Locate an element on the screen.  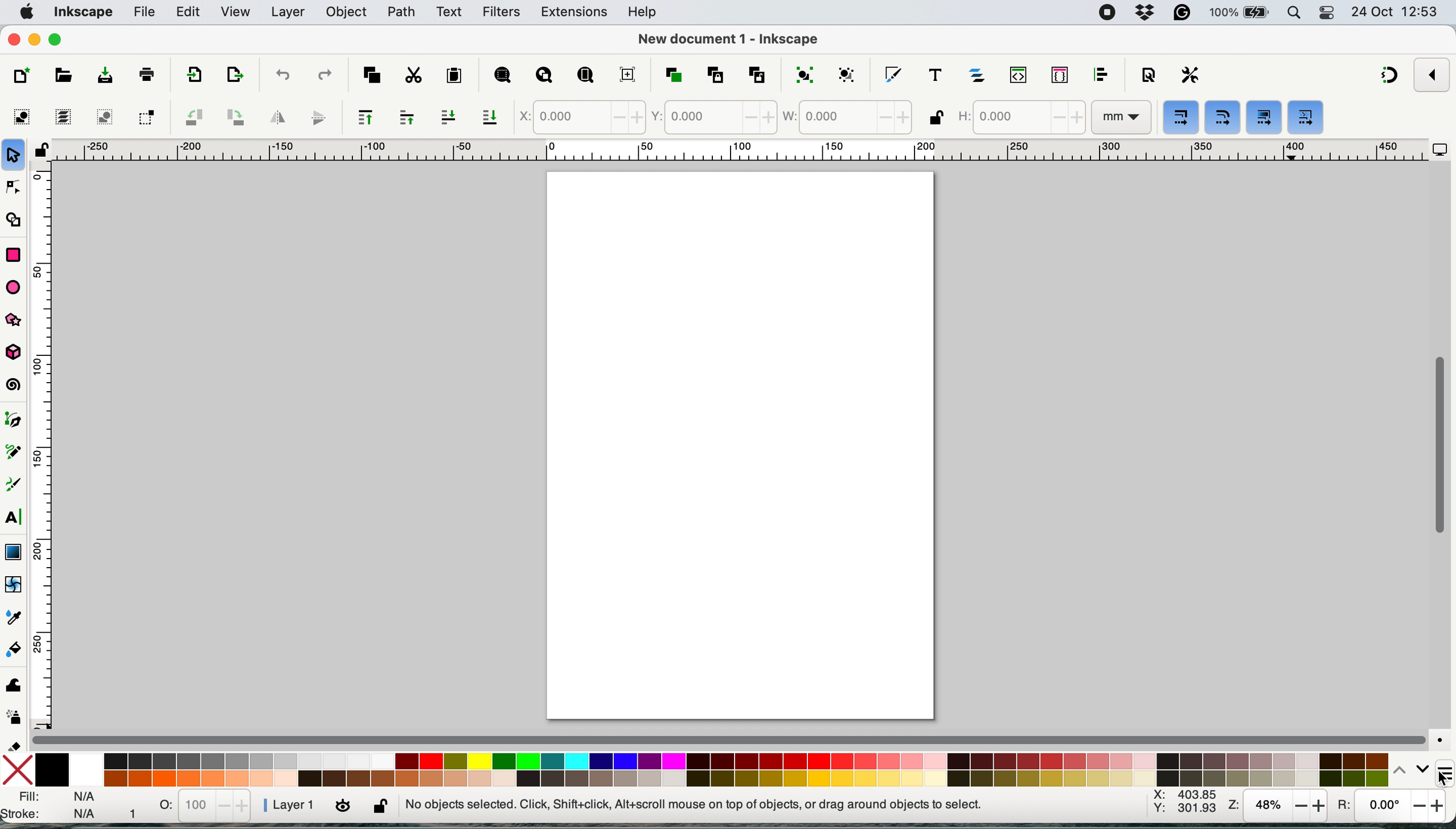
horizontal scale is located at coordinates (739, 150).